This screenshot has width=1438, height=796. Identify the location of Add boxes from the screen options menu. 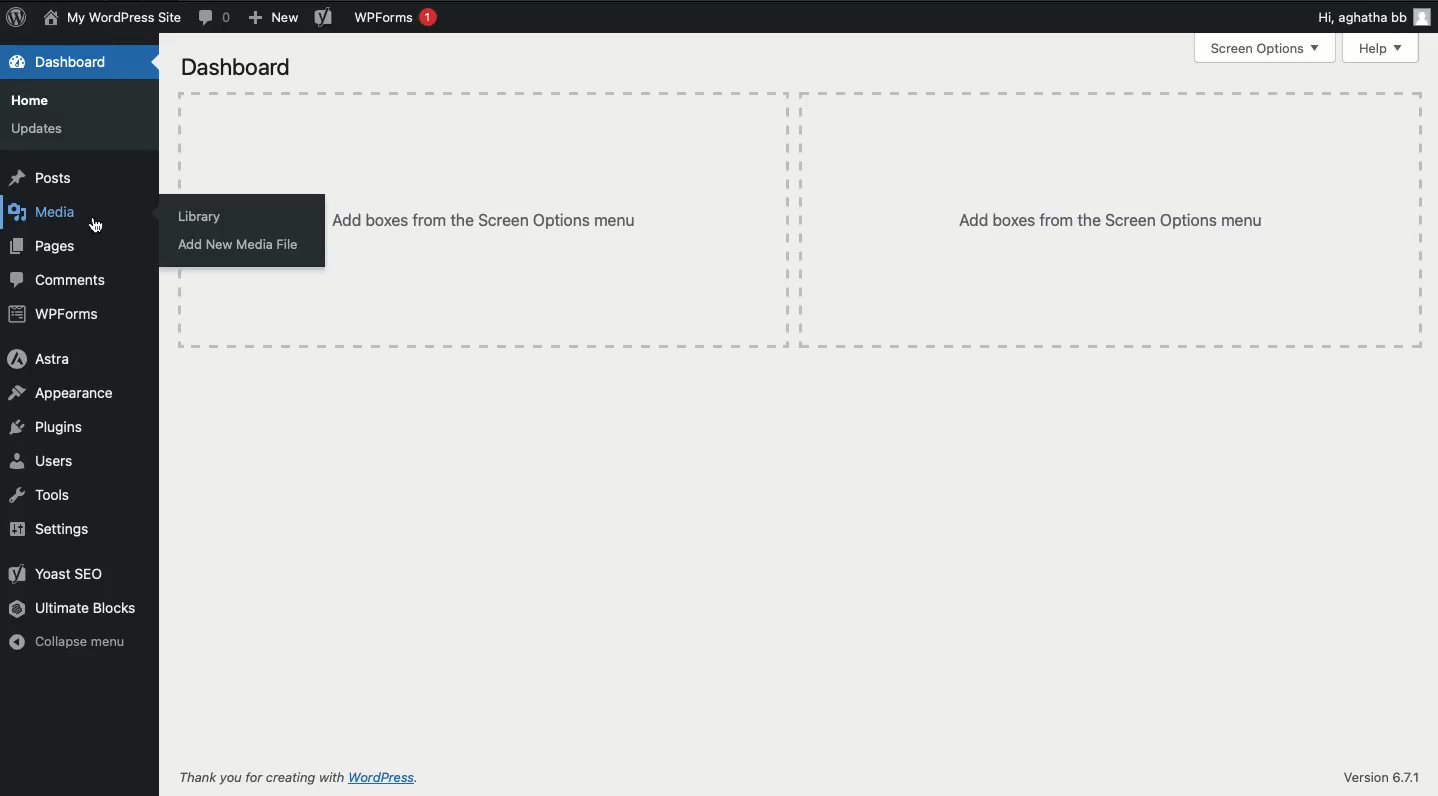
(1113, 219).